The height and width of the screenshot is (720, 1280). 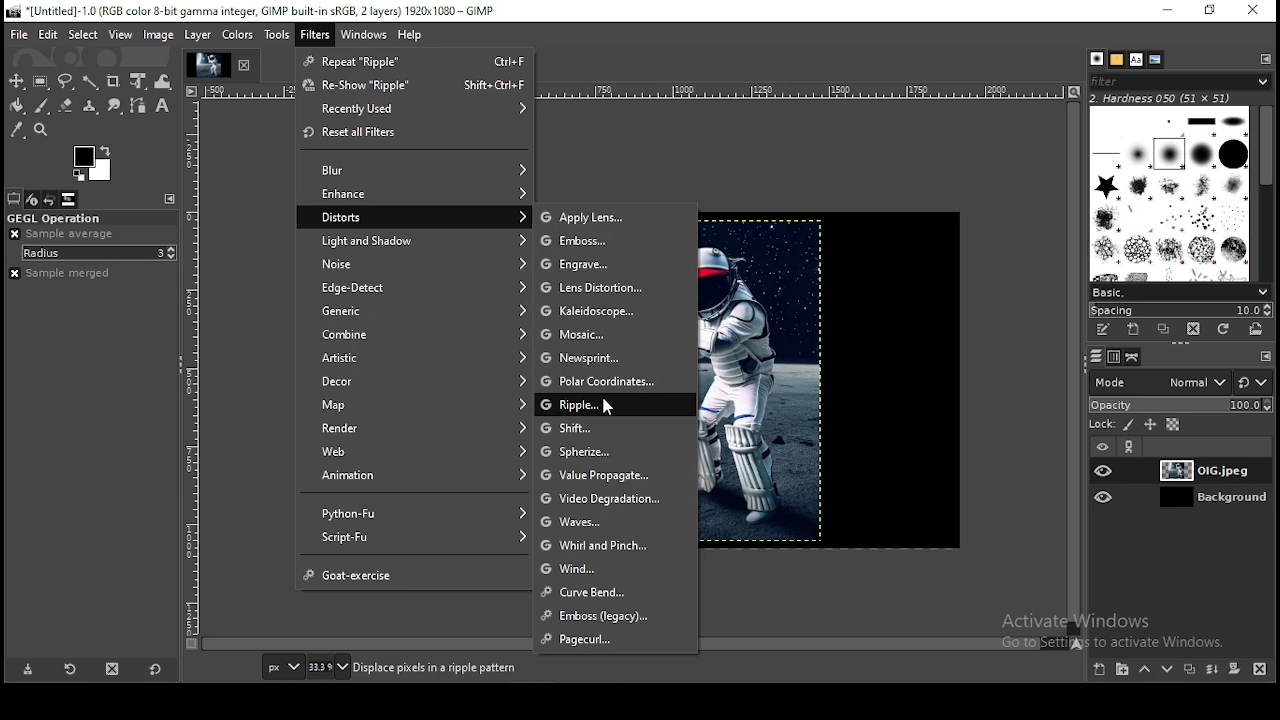 What do you see at coordinates (1215, 11) in the screenshot?
I see `restore` at bounding box center [1215, 11].